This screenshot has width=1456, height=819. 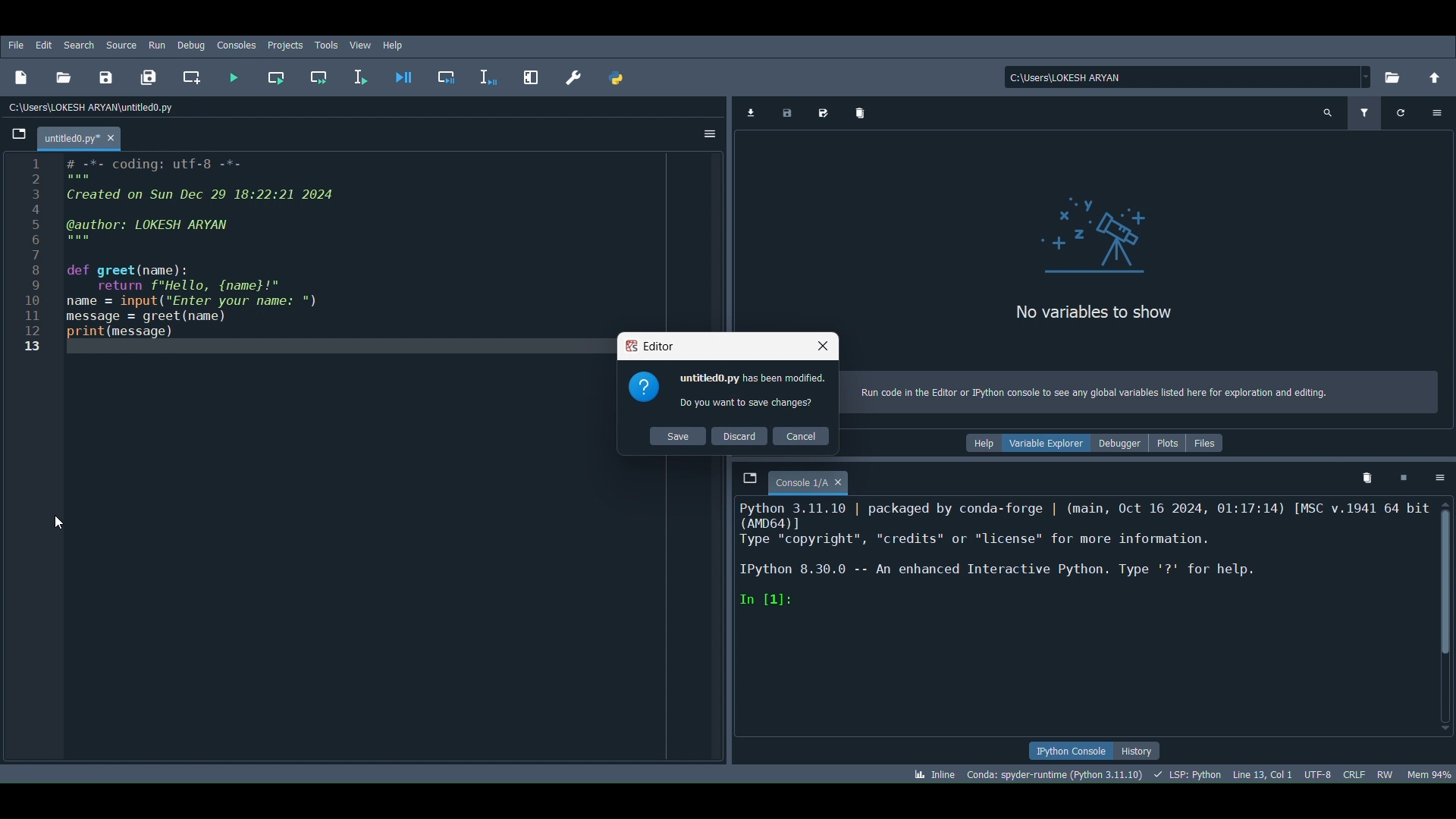 What do you see at coordinates (1393, 75) in the screenshot?
I see `Browse a working directory` at bounding box center [1393, 75].